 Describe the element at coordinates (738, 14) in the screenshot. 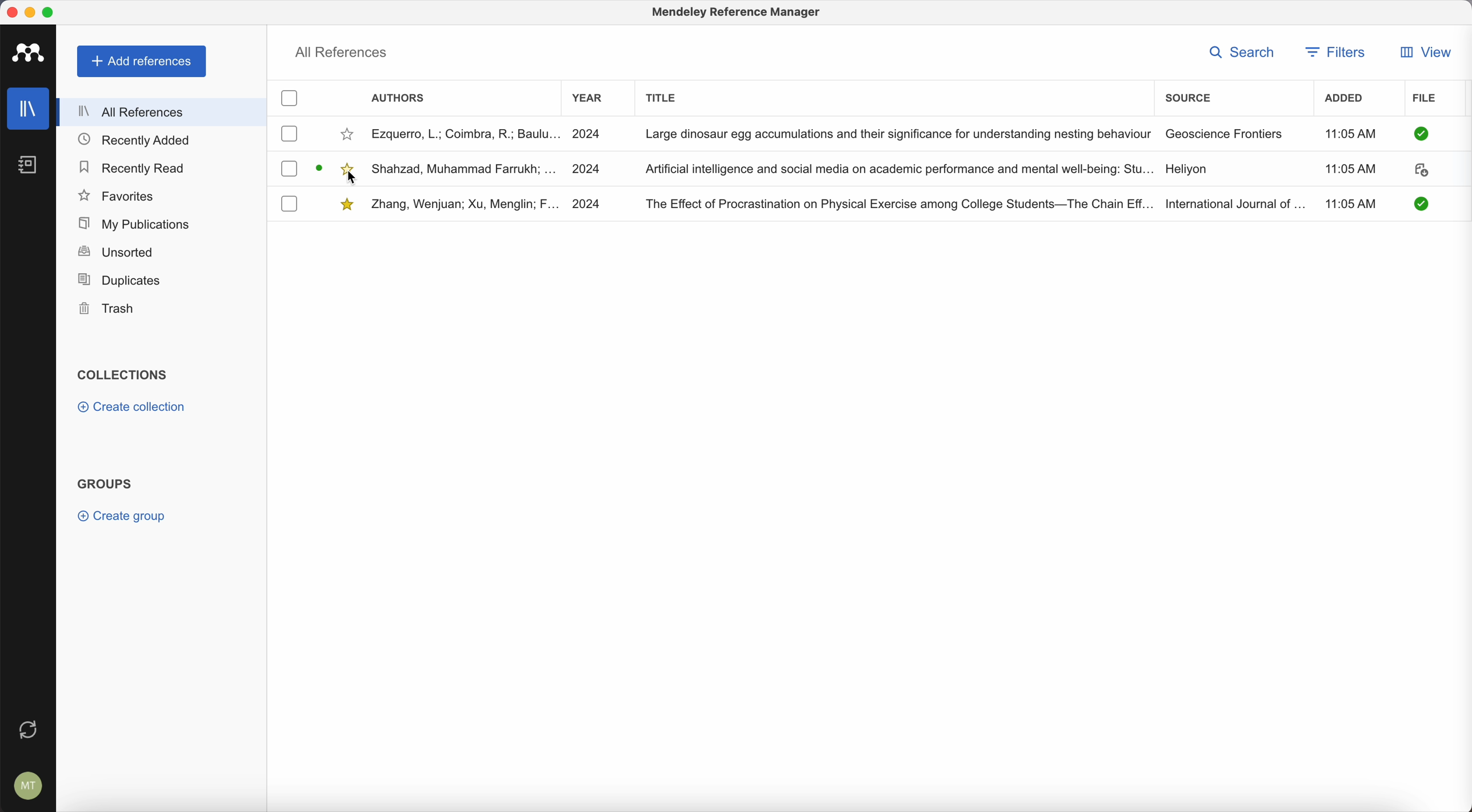

I see `Mendeley reference manager` at that location.